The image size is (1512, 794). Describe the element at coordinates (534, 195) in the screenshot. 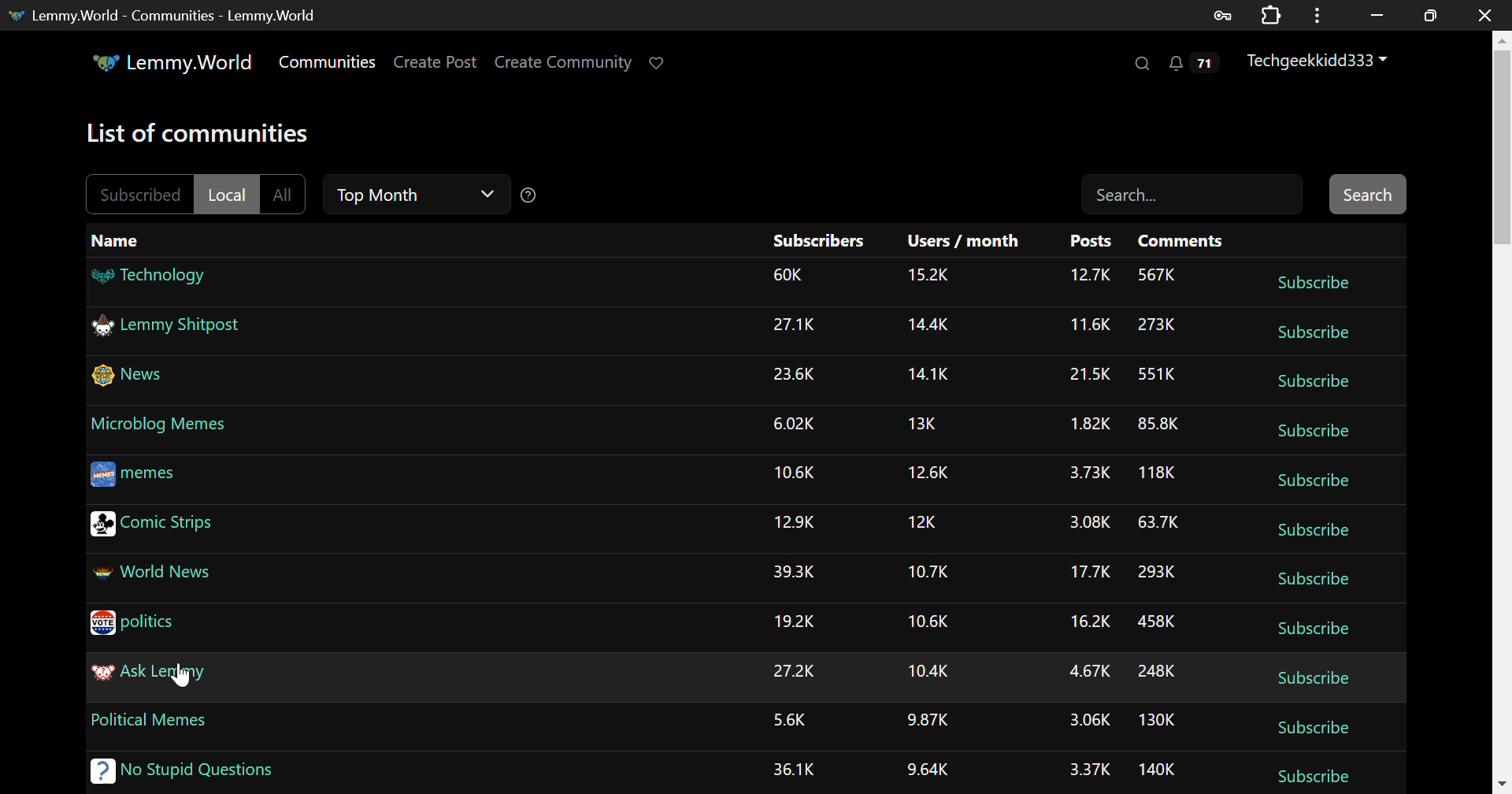

I see `Sorting Help` at that location.